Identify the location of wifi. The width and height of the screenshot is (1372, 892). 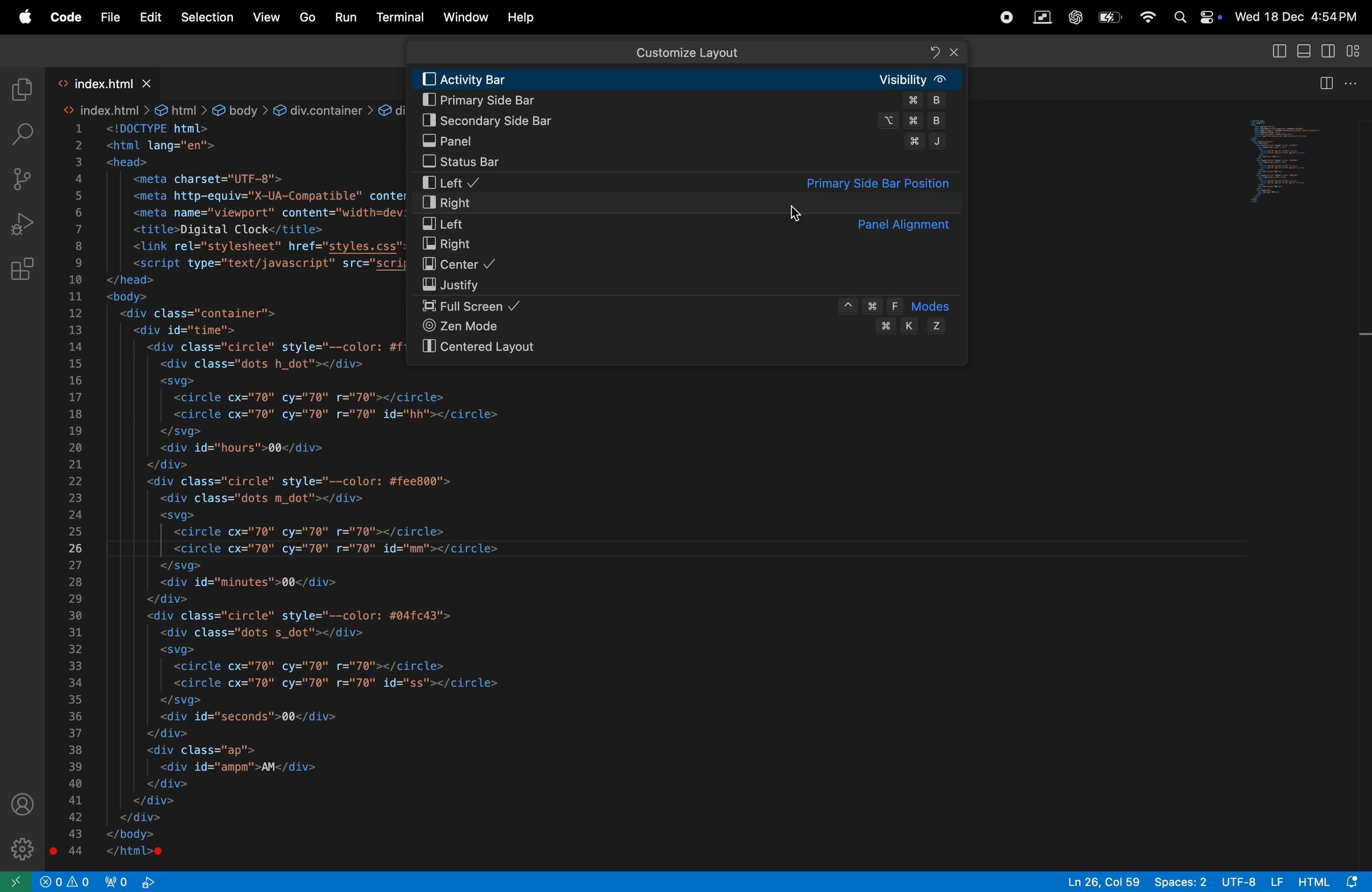
(1143, 18).